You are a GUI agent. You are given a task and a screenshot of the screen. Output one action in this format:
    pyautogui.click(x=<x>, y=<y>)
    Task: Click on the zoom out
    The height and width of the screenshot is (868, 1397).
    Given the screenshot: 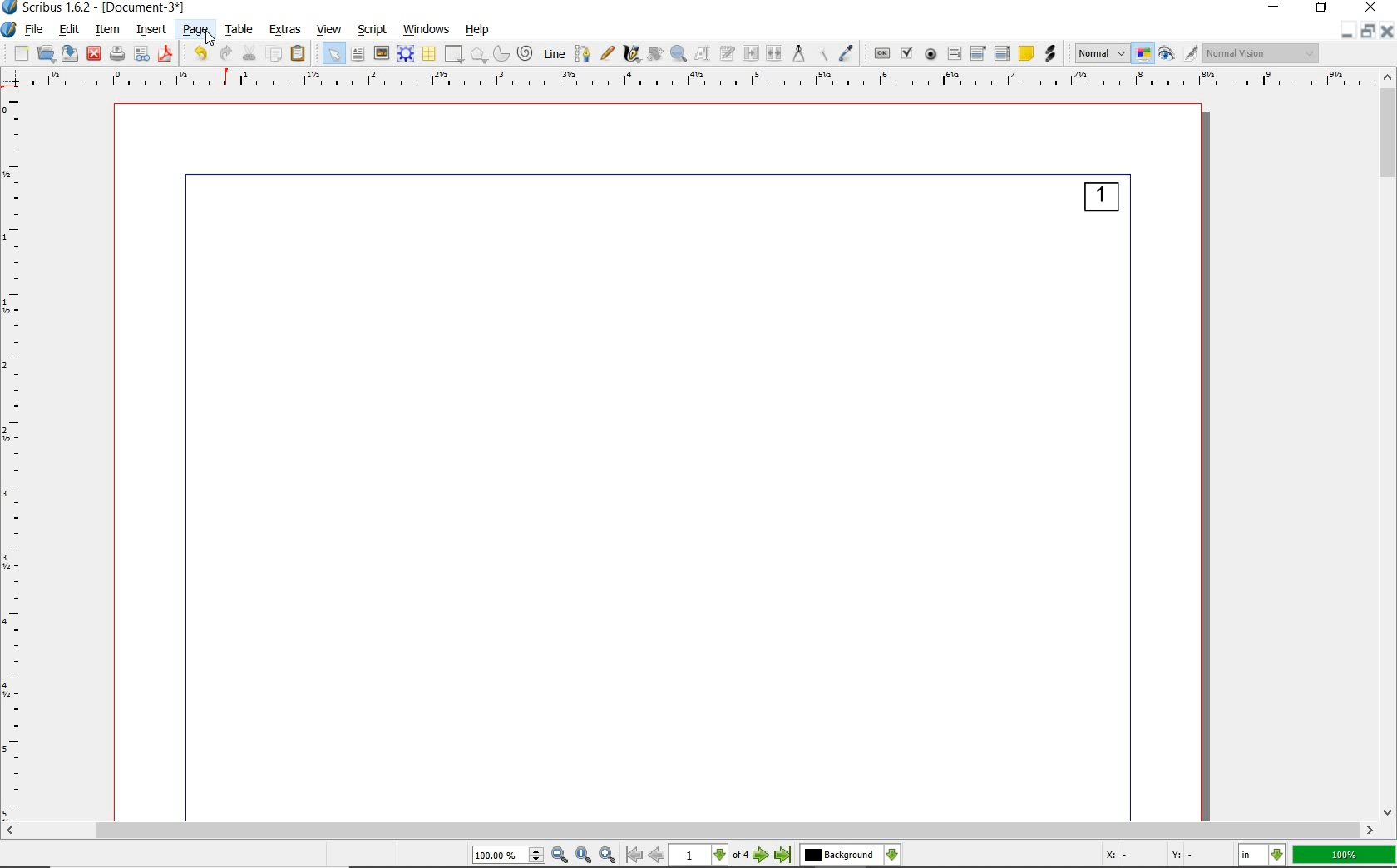 What is the action you would take?
    pyautogui.click(x=560, y=856)
    